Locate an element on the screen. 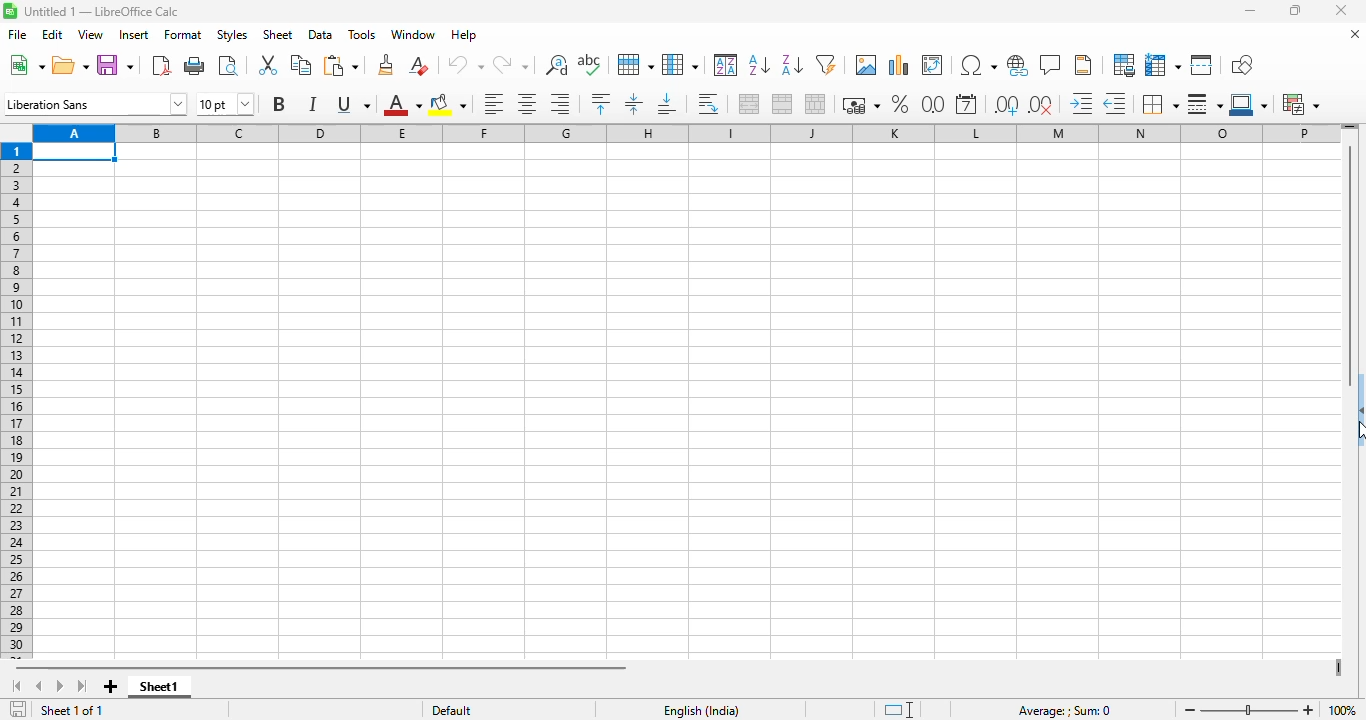 The height and width of the screenshot is (720, 1366). sort ascending is located at coordinates (759, 64).